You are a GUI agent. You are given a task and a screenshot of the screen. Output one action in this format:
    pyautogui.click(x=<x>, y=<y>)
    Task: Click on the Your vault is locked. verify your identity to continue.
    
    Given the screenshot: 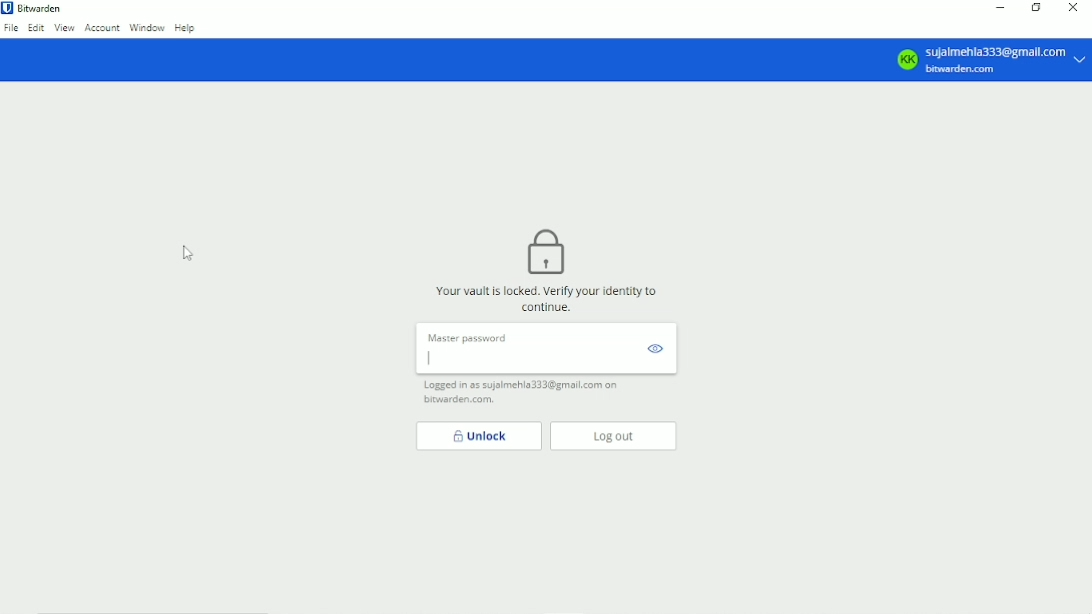 What is the action you would take?
    pyautogui.click(x=541, y=299)
    